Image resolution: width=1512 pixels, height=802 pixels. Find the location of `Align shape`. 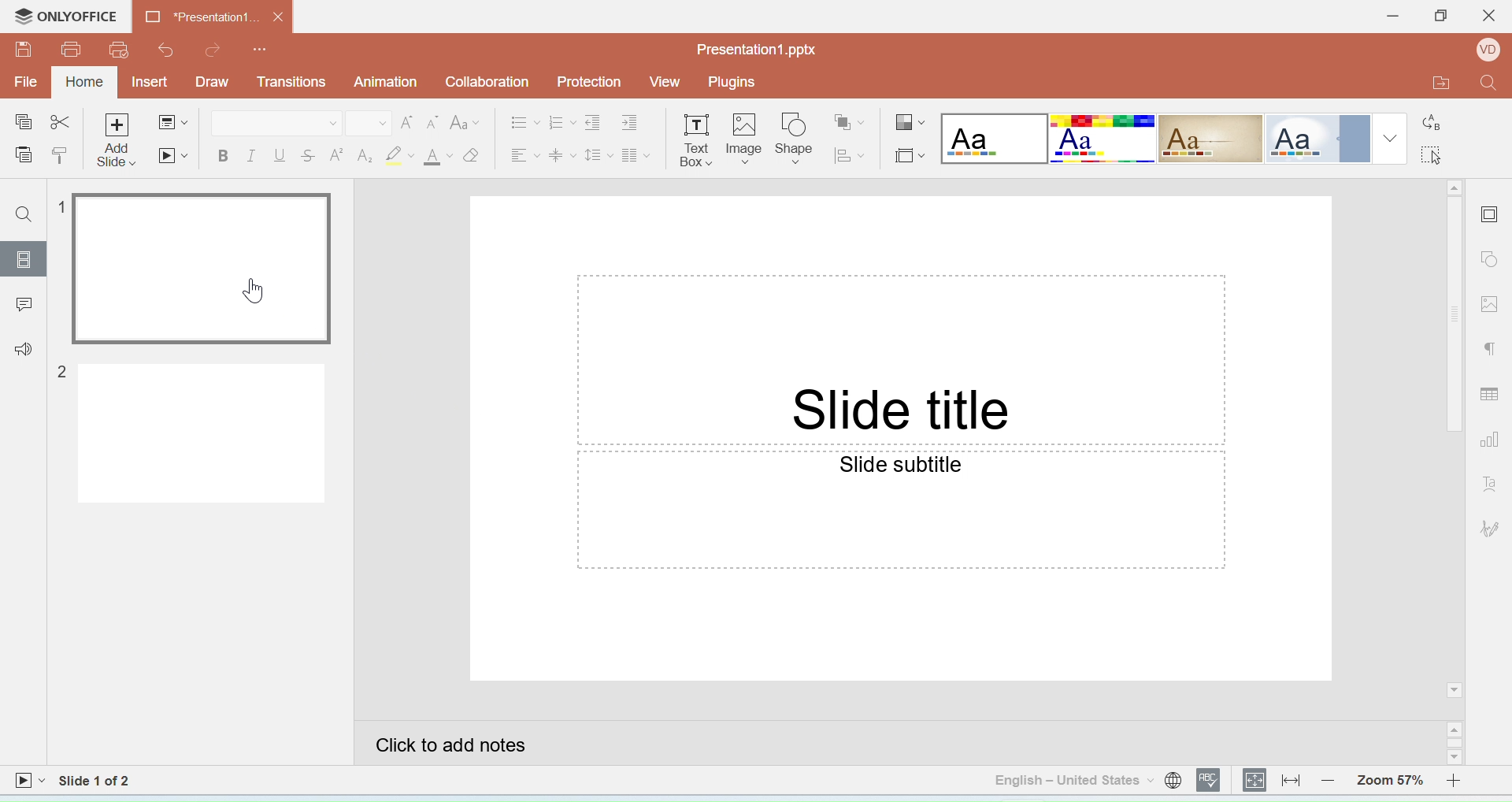

Align shape is located at coordinates (851, 154).